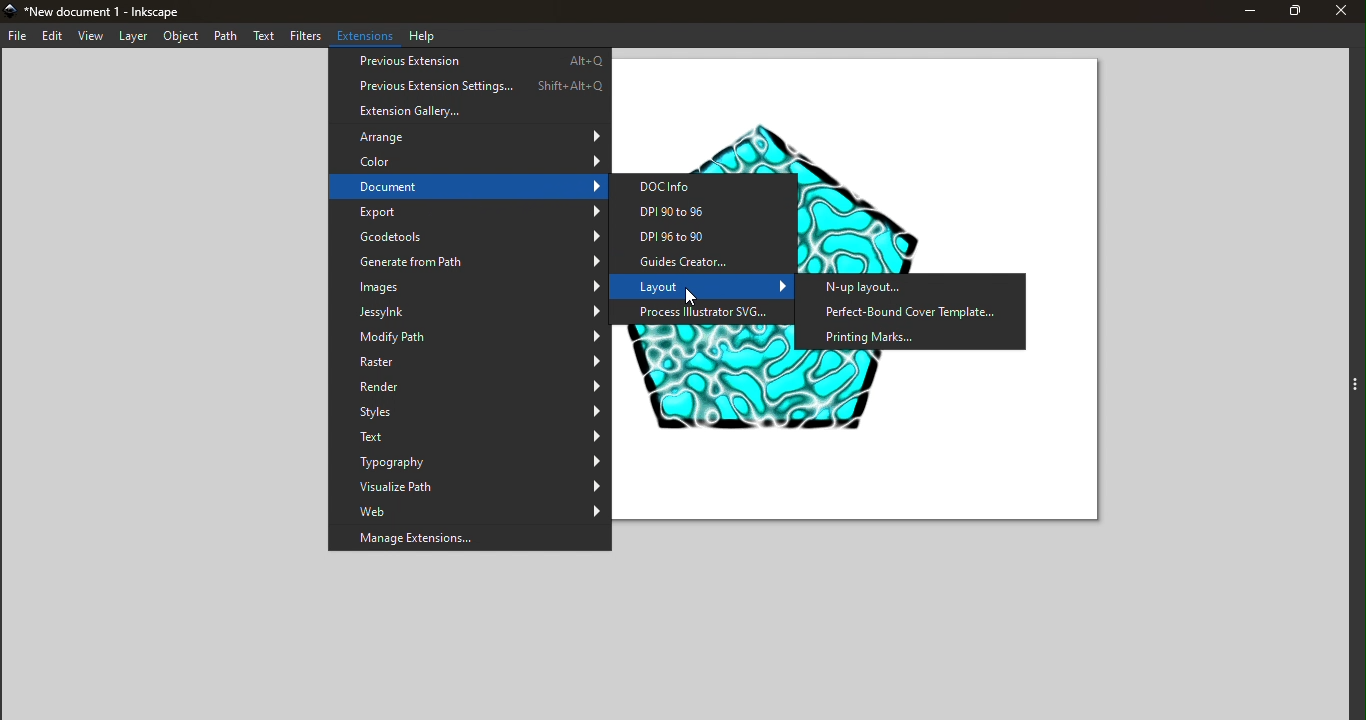 This screenshot has width=1366, height=720. Describe the element at coordinates (468, 487) in the screenshot. I see `Visualize Path` at that location.